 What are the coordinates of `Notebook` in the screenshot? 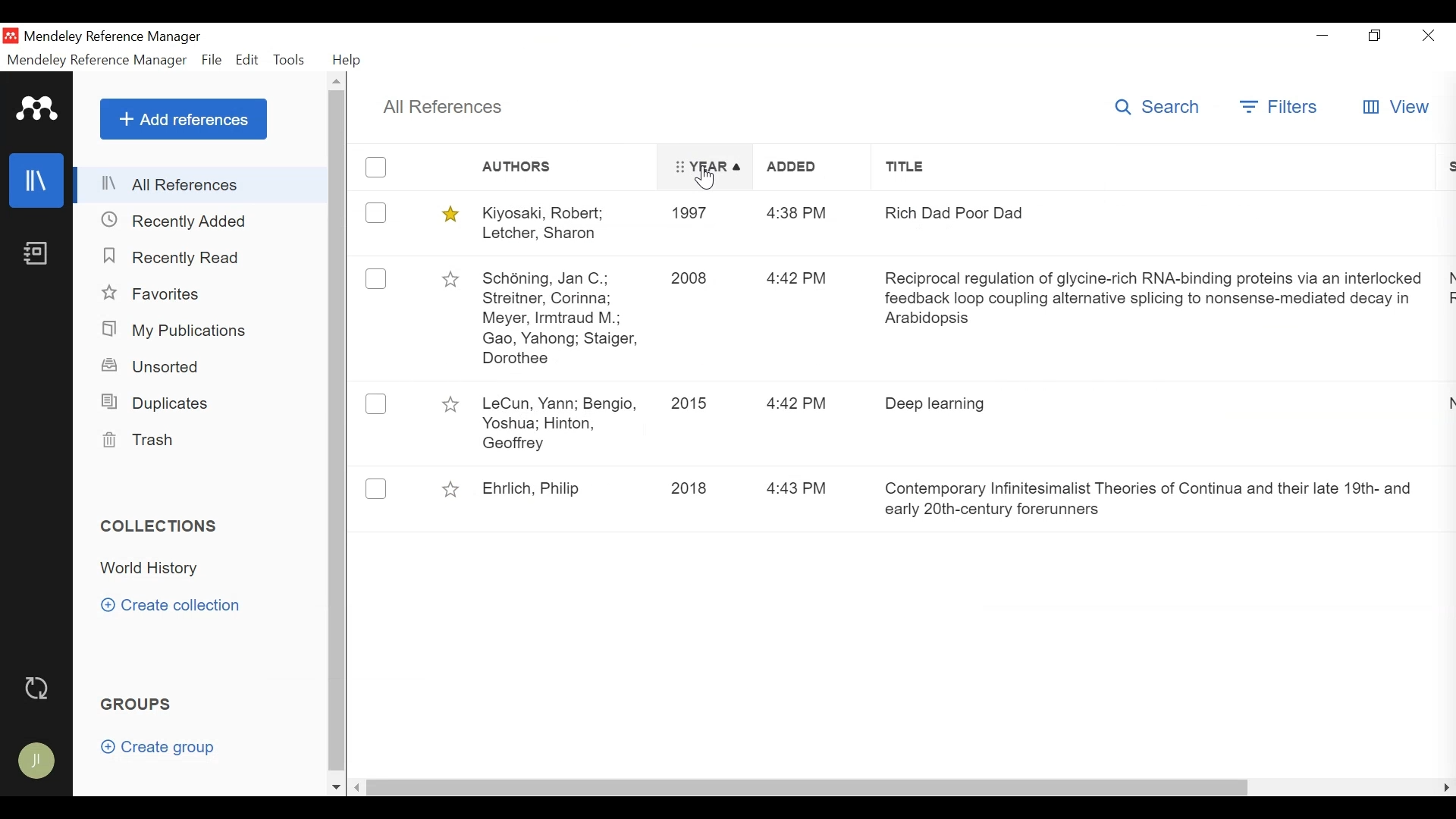 It's located at (39, 255).